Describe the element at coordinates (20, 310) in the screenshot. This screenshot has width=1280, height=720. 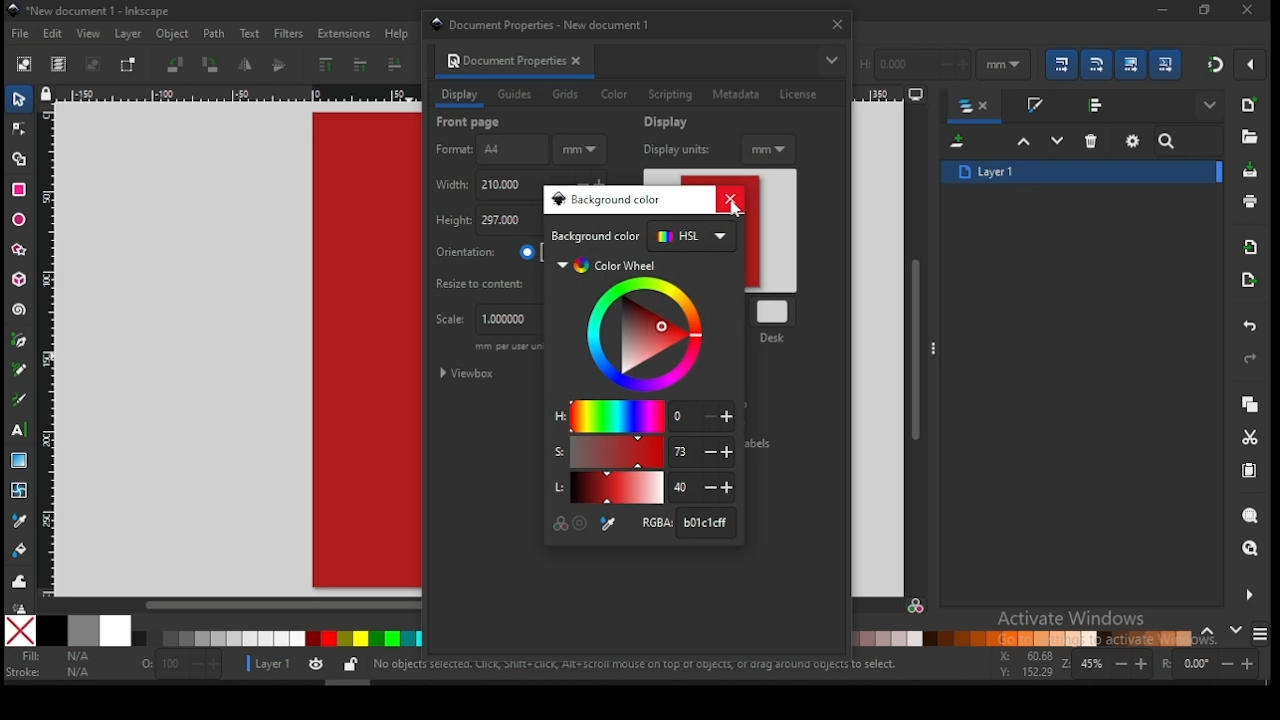
I see `spiral tool` at that location.